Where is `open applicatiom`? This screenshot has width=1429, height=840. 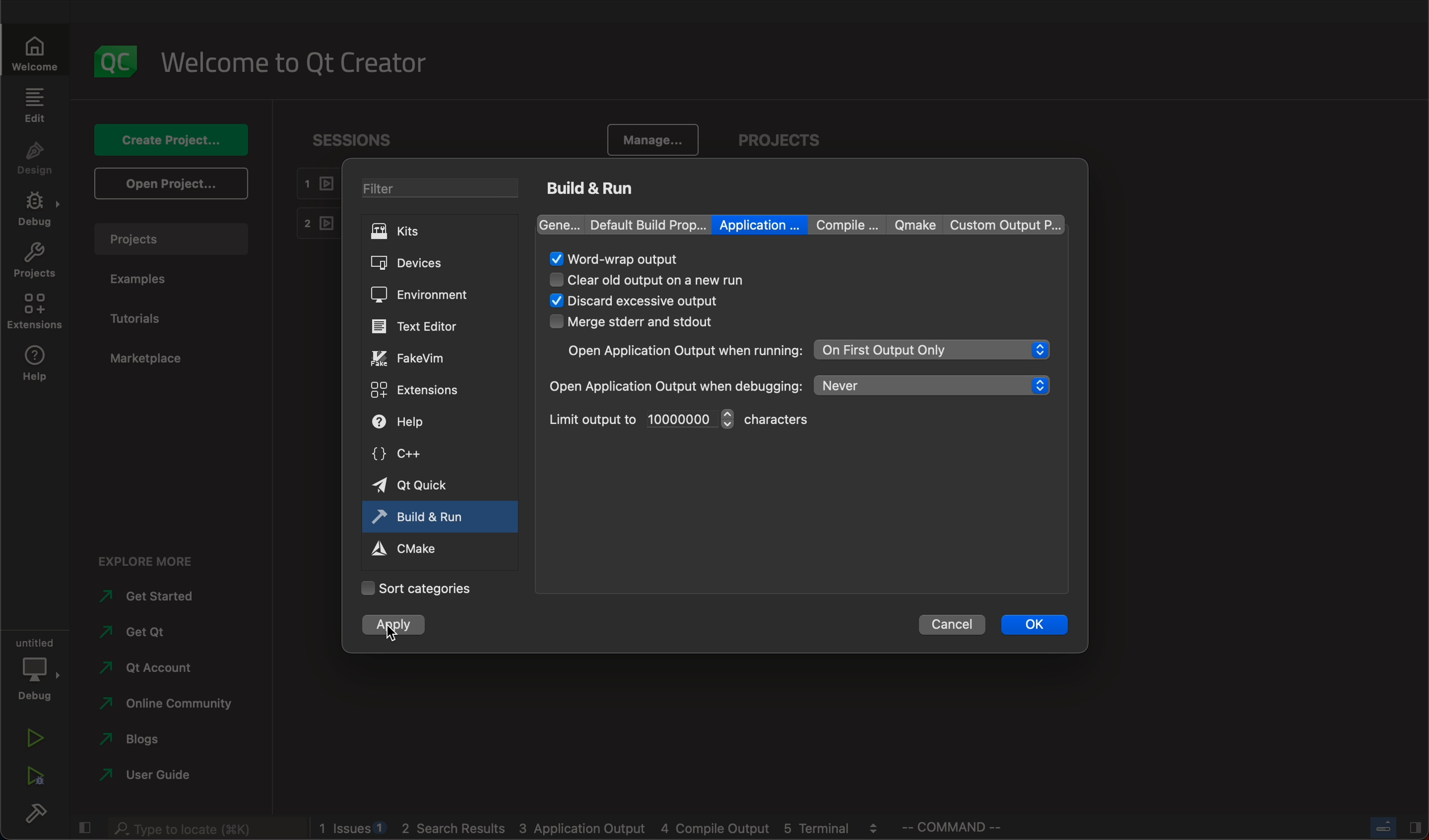 open applicatiom is located at coordinates (681, 351).